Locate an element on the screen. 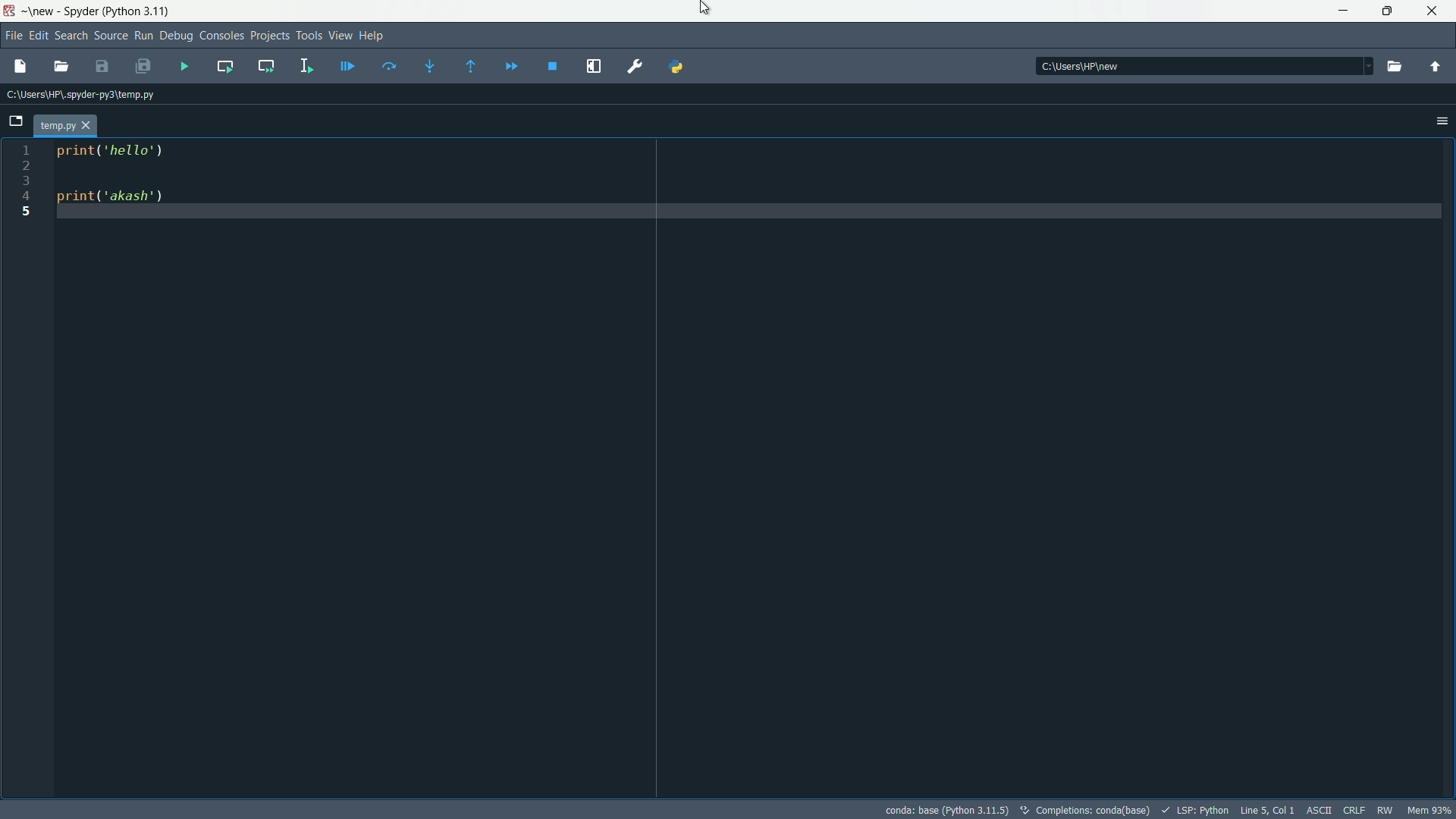 The height and width of the screenshot is (819, 1456). python path manager is located at coordinates (676, 67).